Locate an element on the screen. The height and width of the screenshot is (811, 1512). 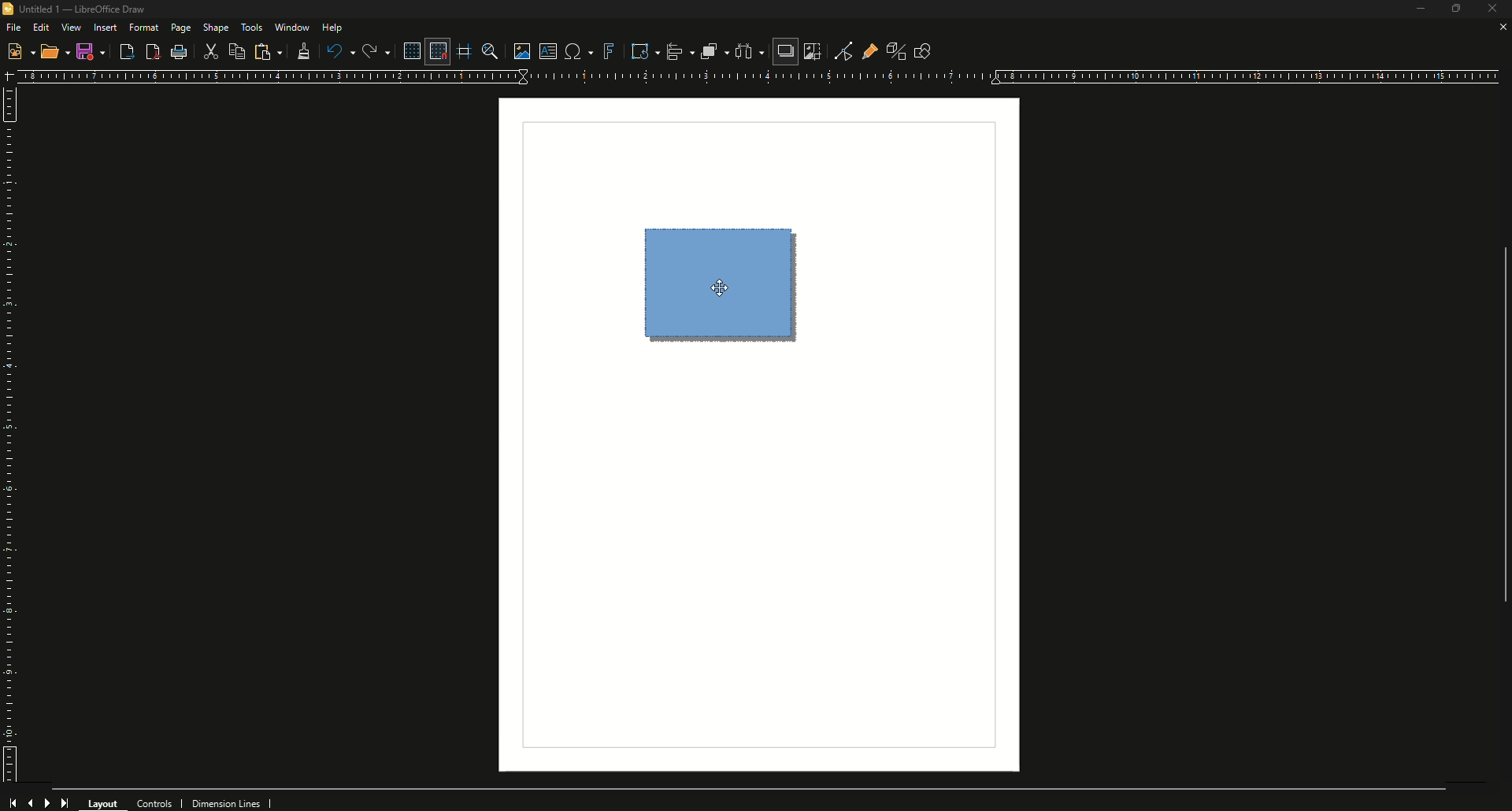
Print is located at coordinates (180, 54).